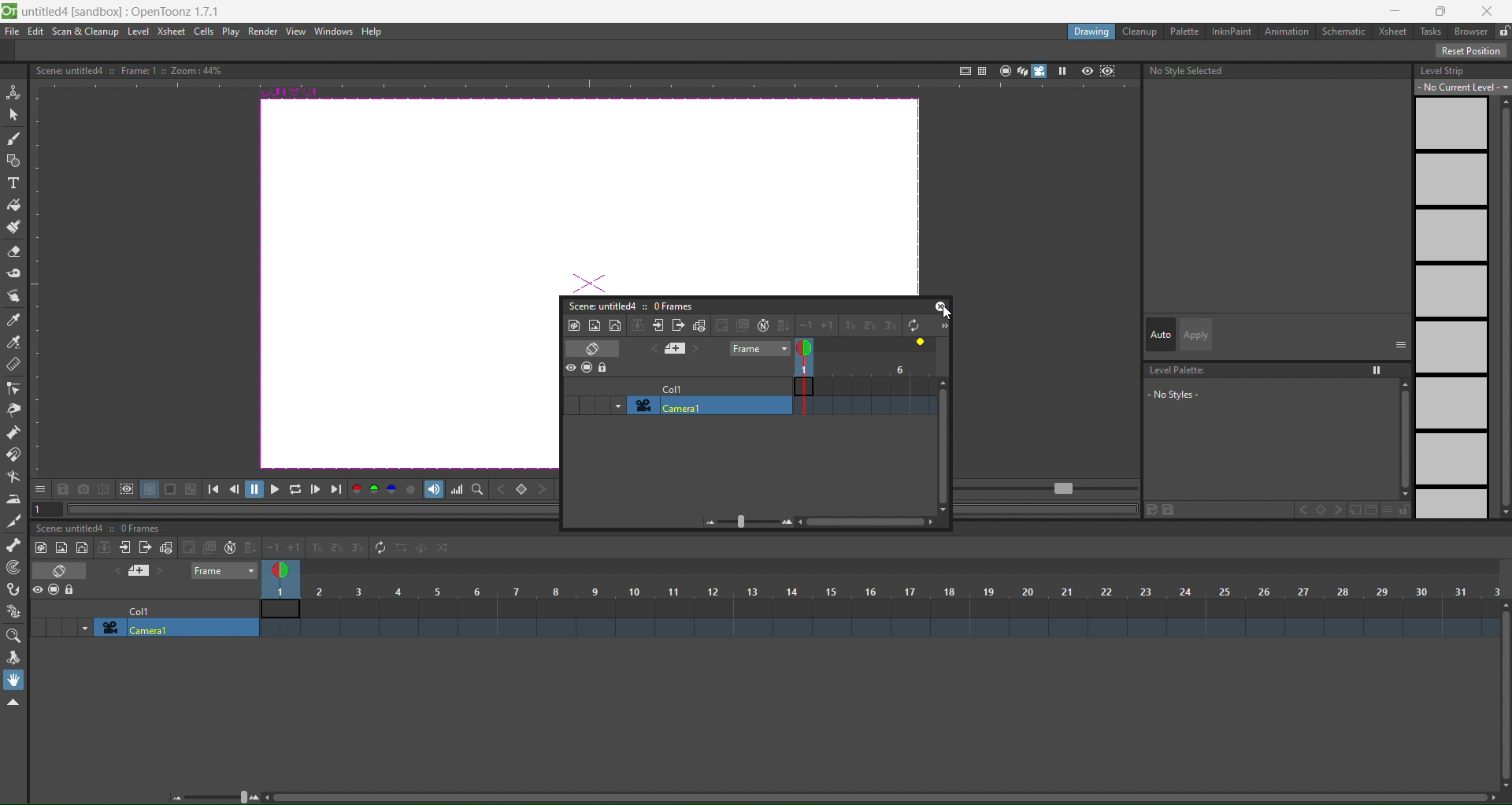 This screenshot has height=805, width=1512. What do you see at coordinates (1394, 11) in the screenshot?
I see `minimize` at bounding box center [1394, 11].